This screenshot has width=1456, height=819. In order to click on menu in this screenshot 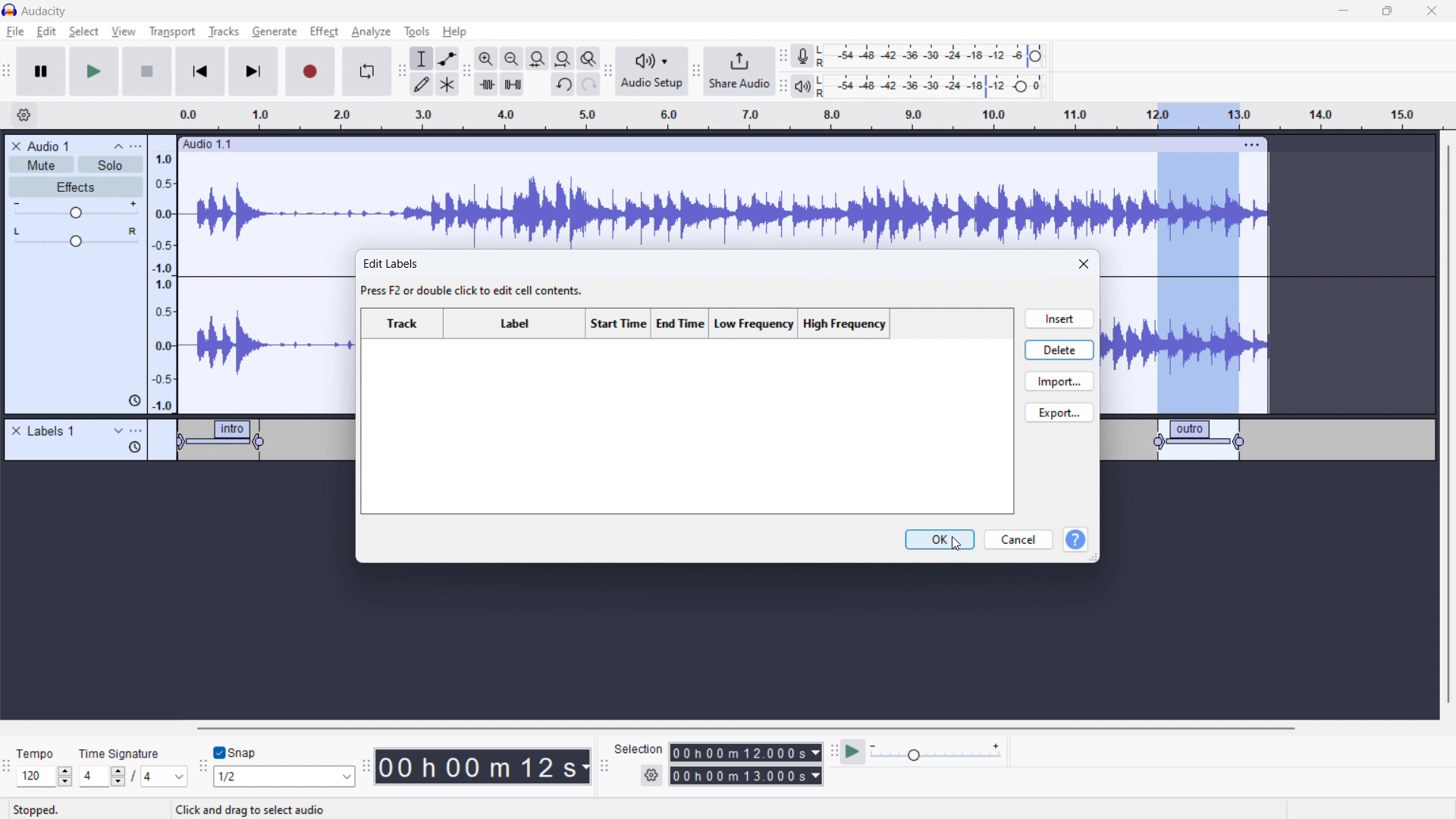, I will do `click(137, 146)`.